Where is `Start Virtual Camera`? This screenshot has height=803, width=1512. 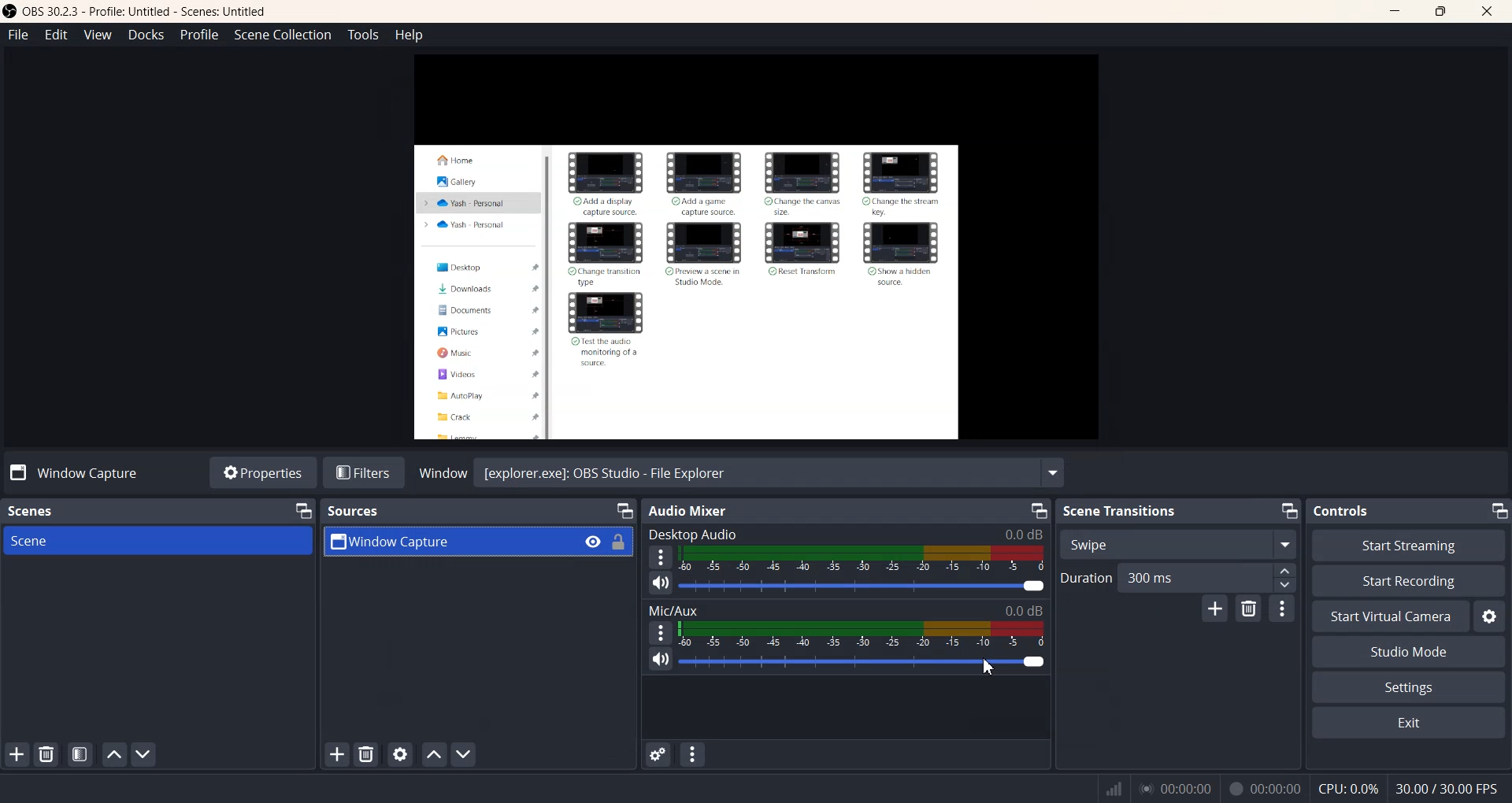 Start Virtual Camera is located at coordinates (1388, 616).